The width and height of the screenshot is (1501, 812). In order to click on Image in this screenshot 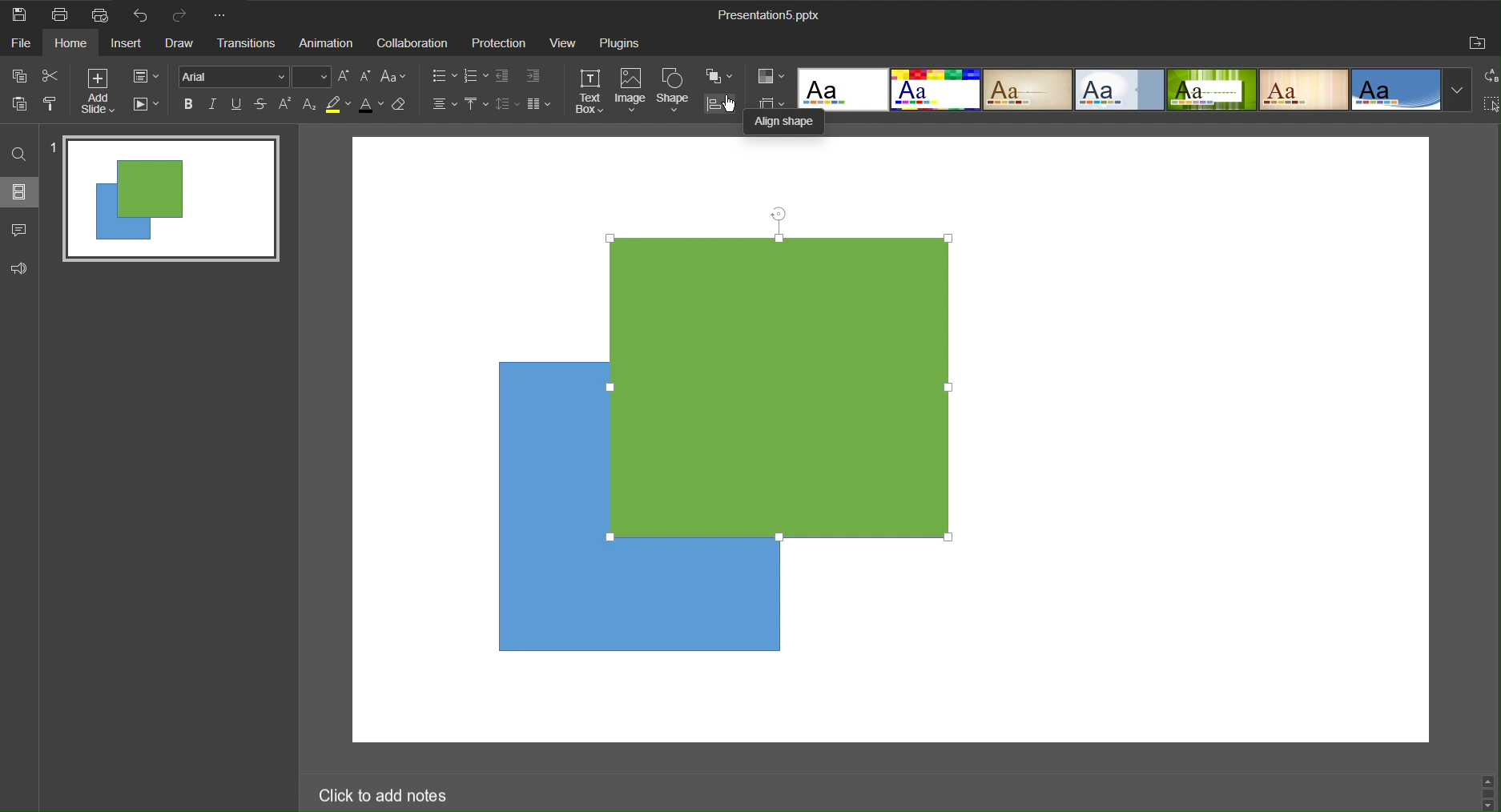, I will do `click(631, 90)`.